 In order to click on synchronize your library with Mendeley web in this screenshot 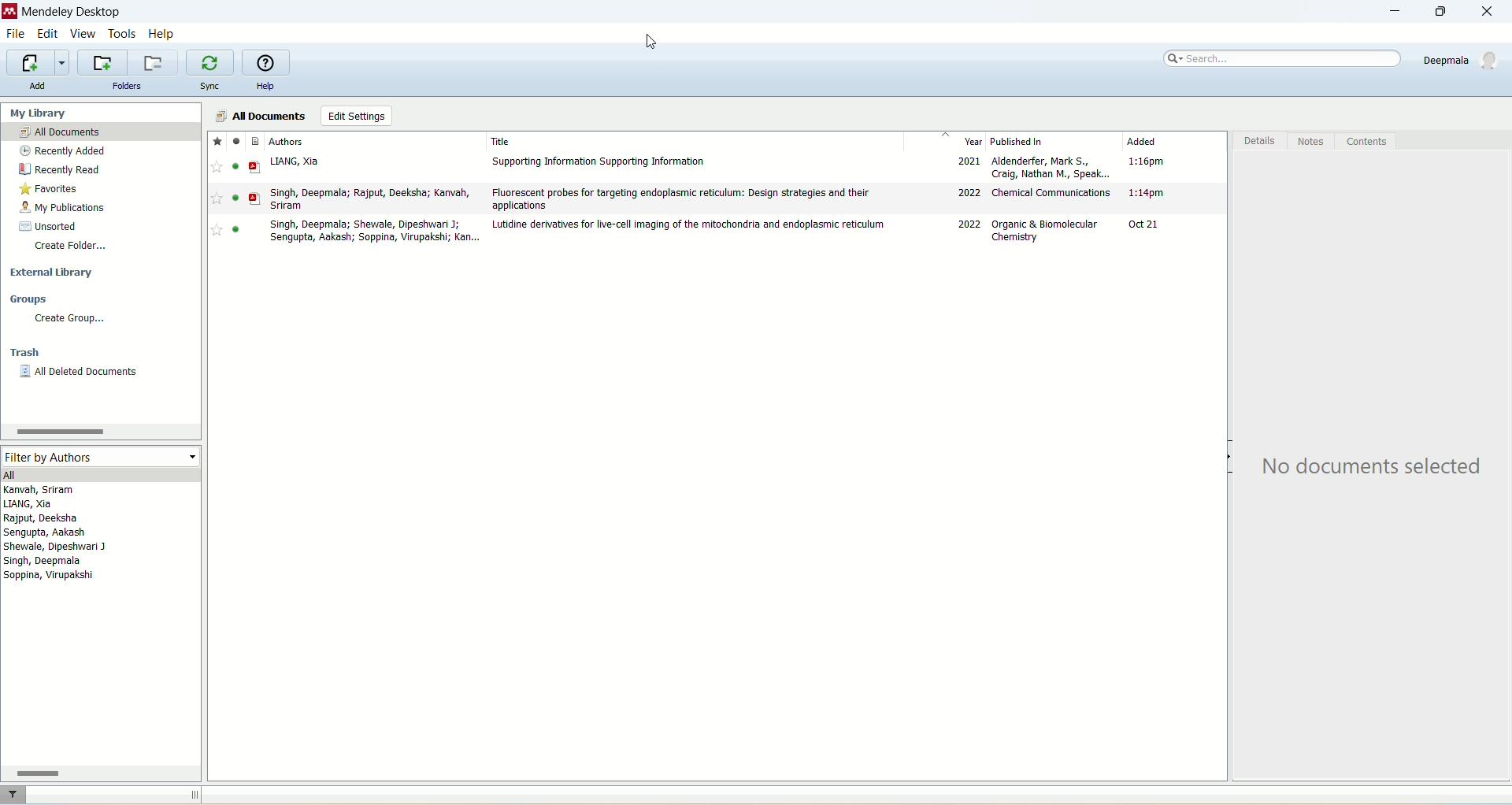, I will do `click(209, 61)`.